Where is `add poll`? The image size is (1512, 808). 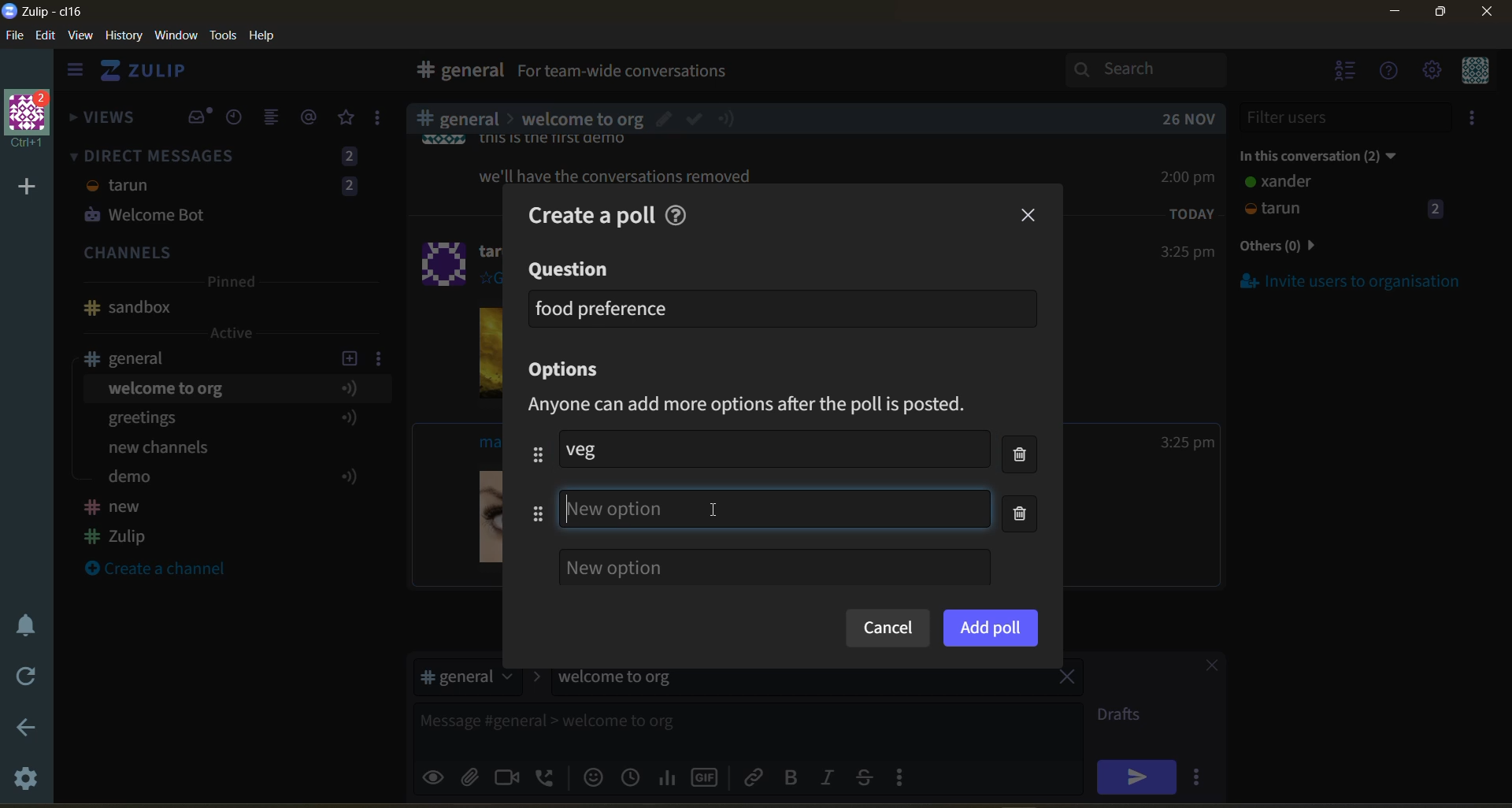 add poll is located at coordinates (991, 627).